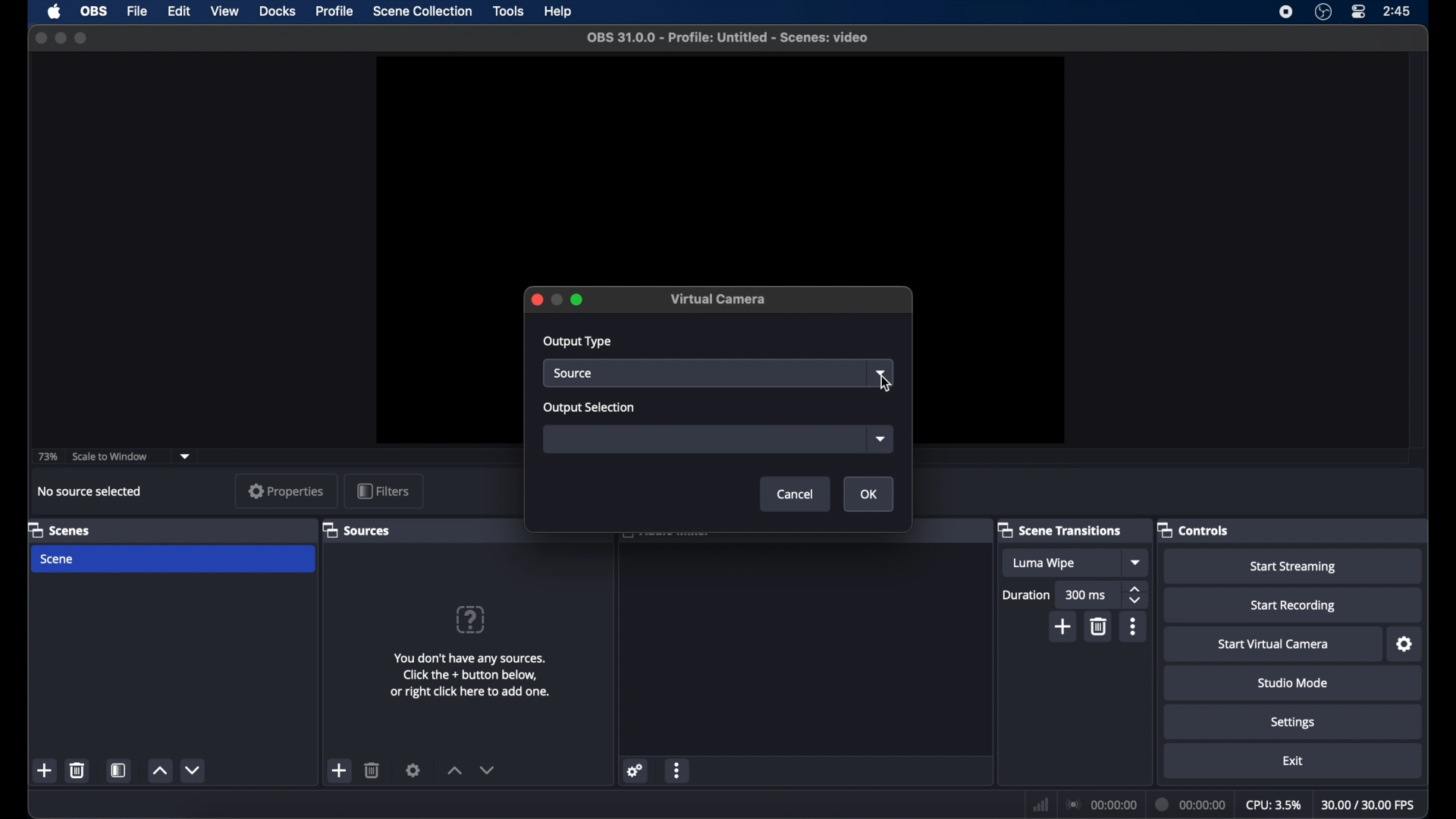 Image resolution: width=1456 pixels, height=819 pixels. I want to click on delete, so click(78, 770).